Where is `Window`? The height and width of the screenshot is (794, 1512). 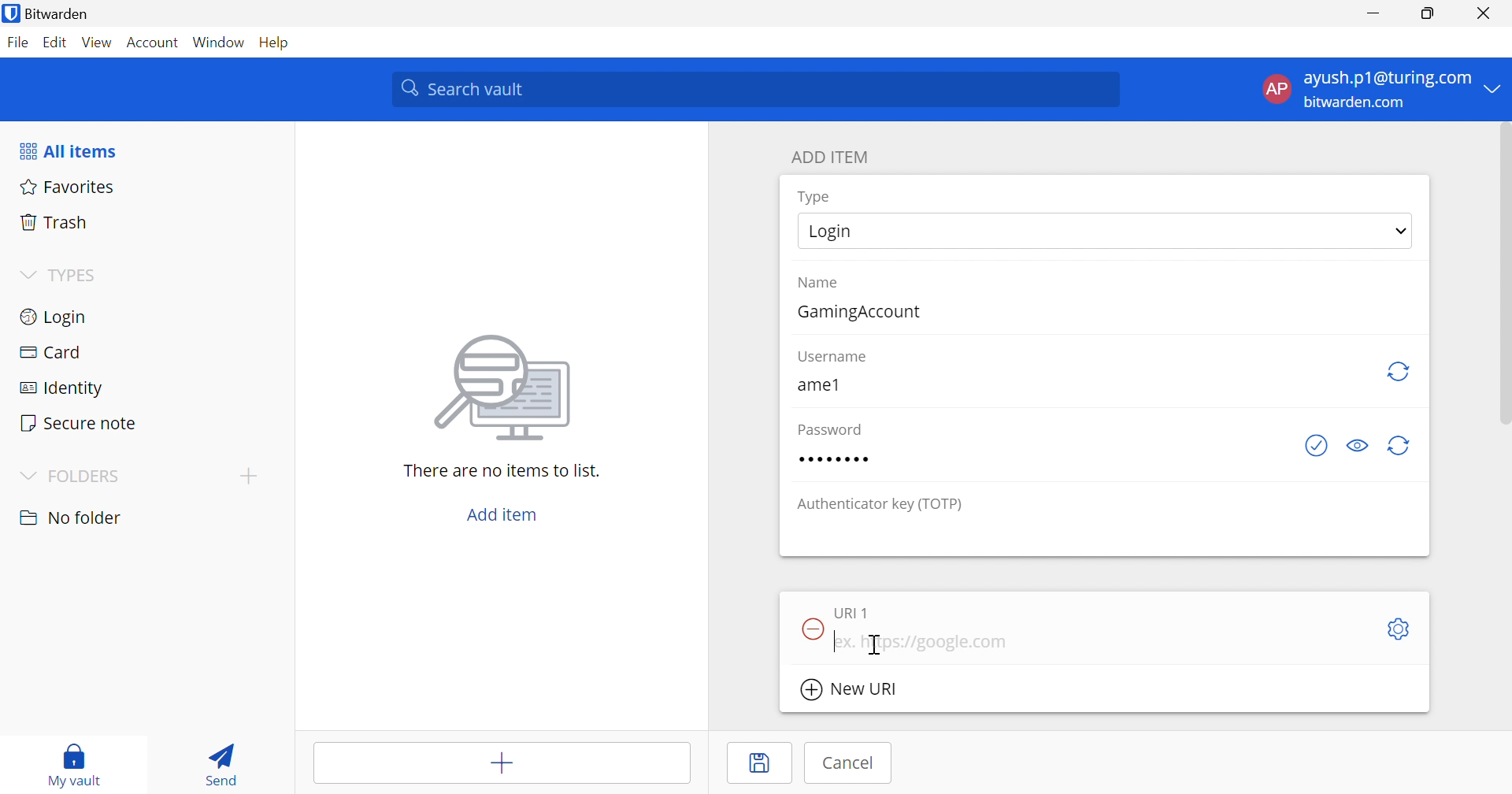 Window is located at coordinates (218, 43).